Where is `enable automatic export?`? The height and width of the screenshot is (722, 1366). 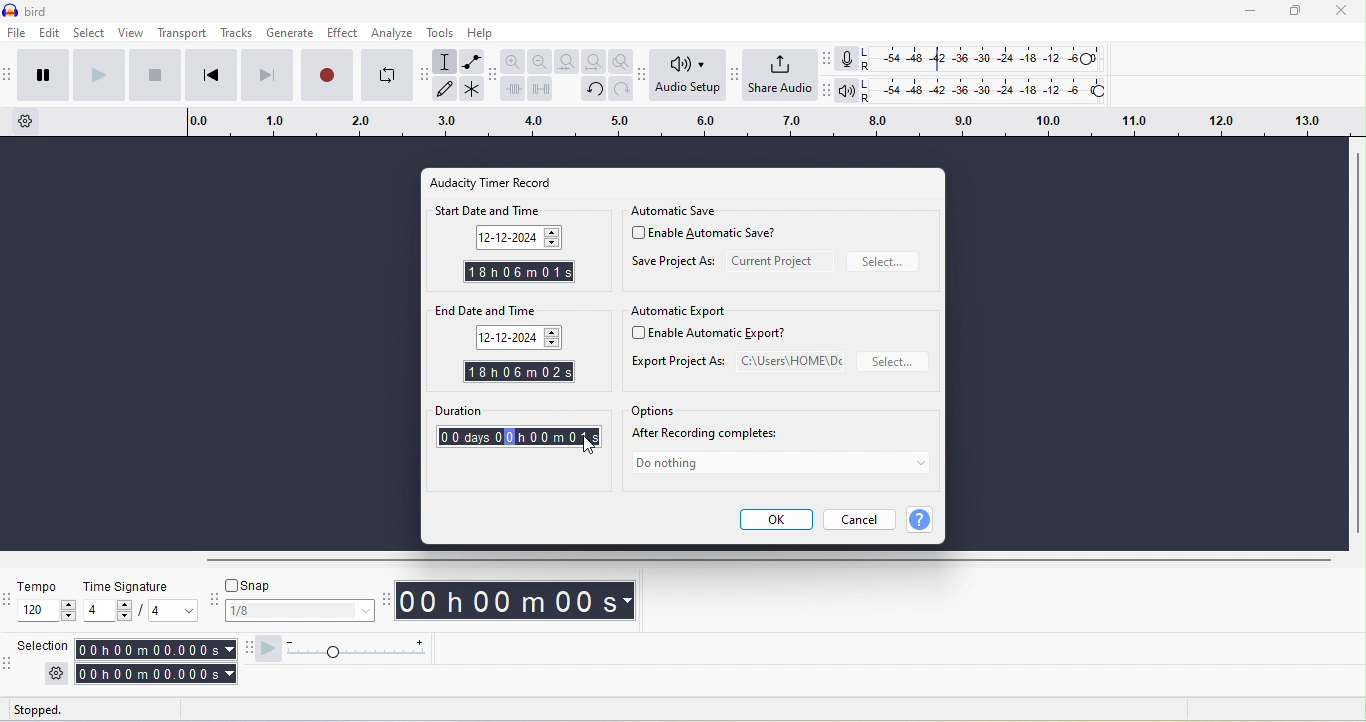
enable automatic export? is located at coordinates (718, 334).